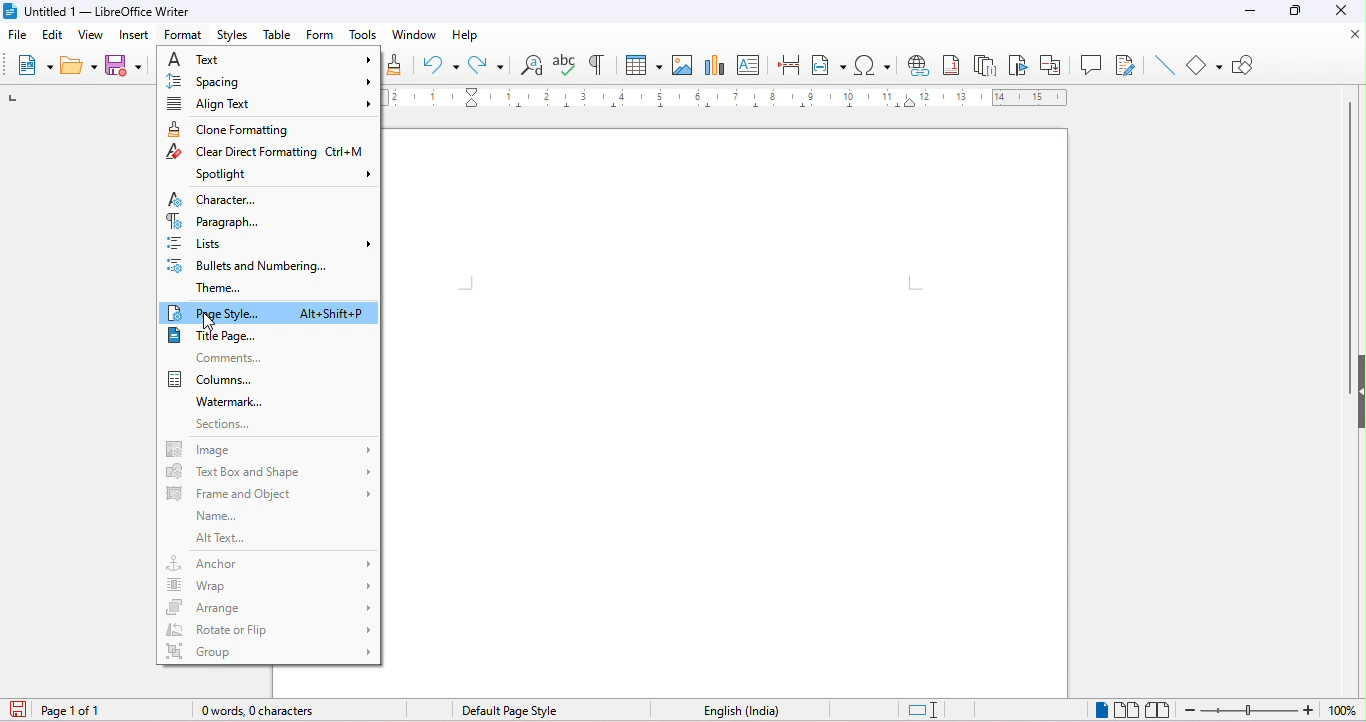 The height and width of the screenshot is (722, 1366). What do you see at coordinates (1204, 65) in the screenshot?
I see `shape` at bounding box center [1204, 65].